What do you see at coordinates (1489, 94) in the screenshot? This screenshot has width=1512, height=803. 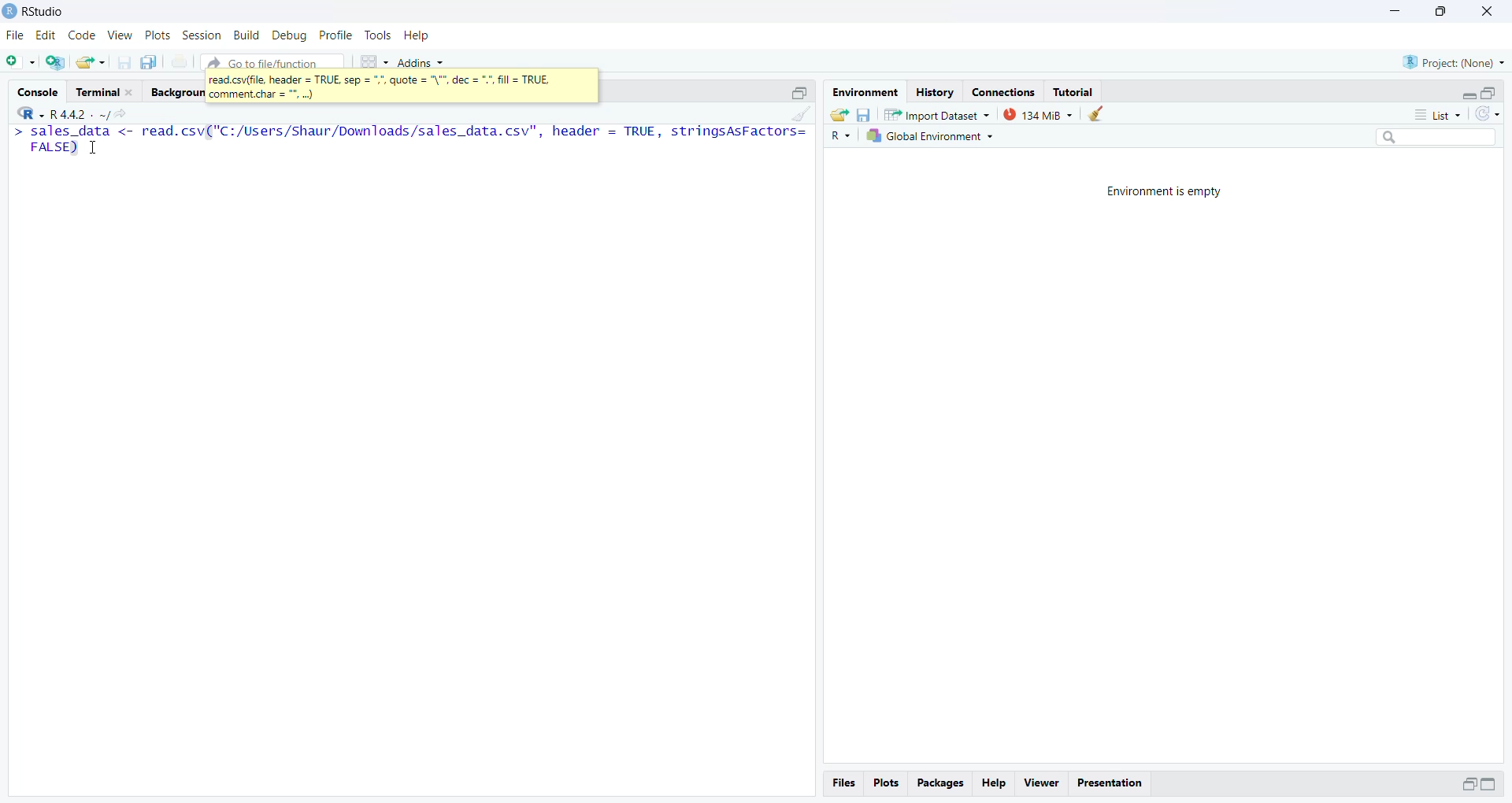 I see `Maximize` at bounding box center [1489, 94].